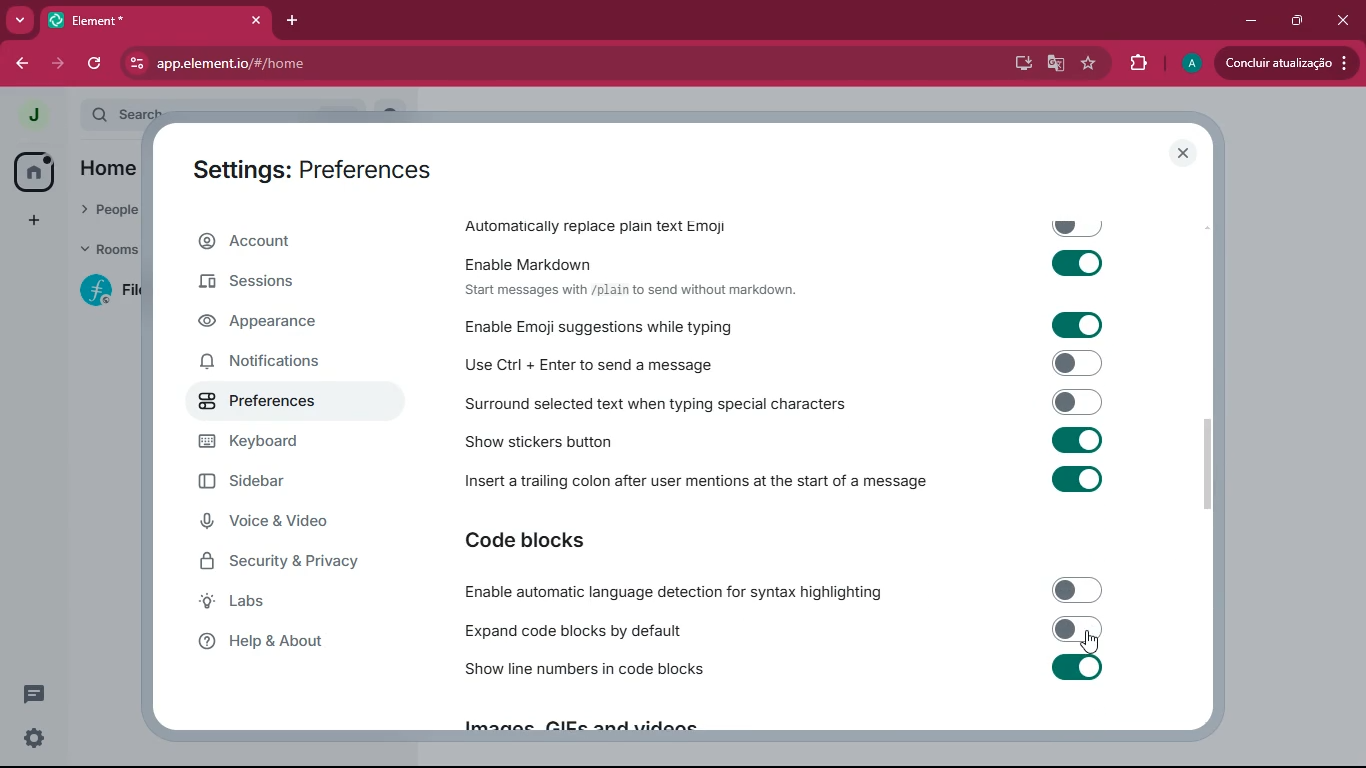 The width and height of the screenshot is (1366, 768). I want to click on people, so click(108, 213).